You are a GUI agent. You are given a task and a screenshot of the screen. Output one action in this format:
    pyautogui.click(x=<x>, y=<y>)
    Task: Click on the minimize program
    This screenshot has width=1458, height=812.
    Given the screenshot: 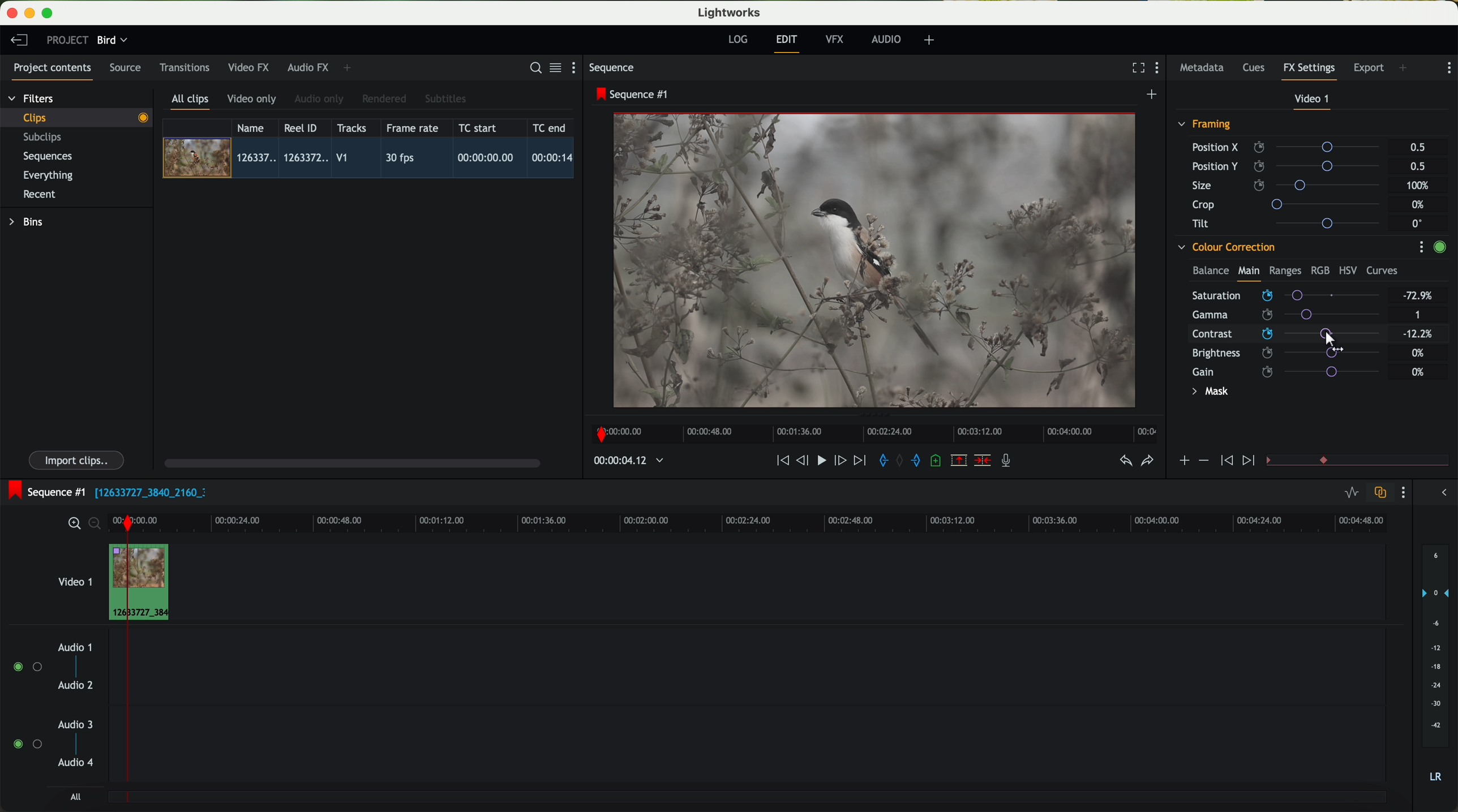 What is the action you would take?
    pyautogui.click(x=32, y=14)
    